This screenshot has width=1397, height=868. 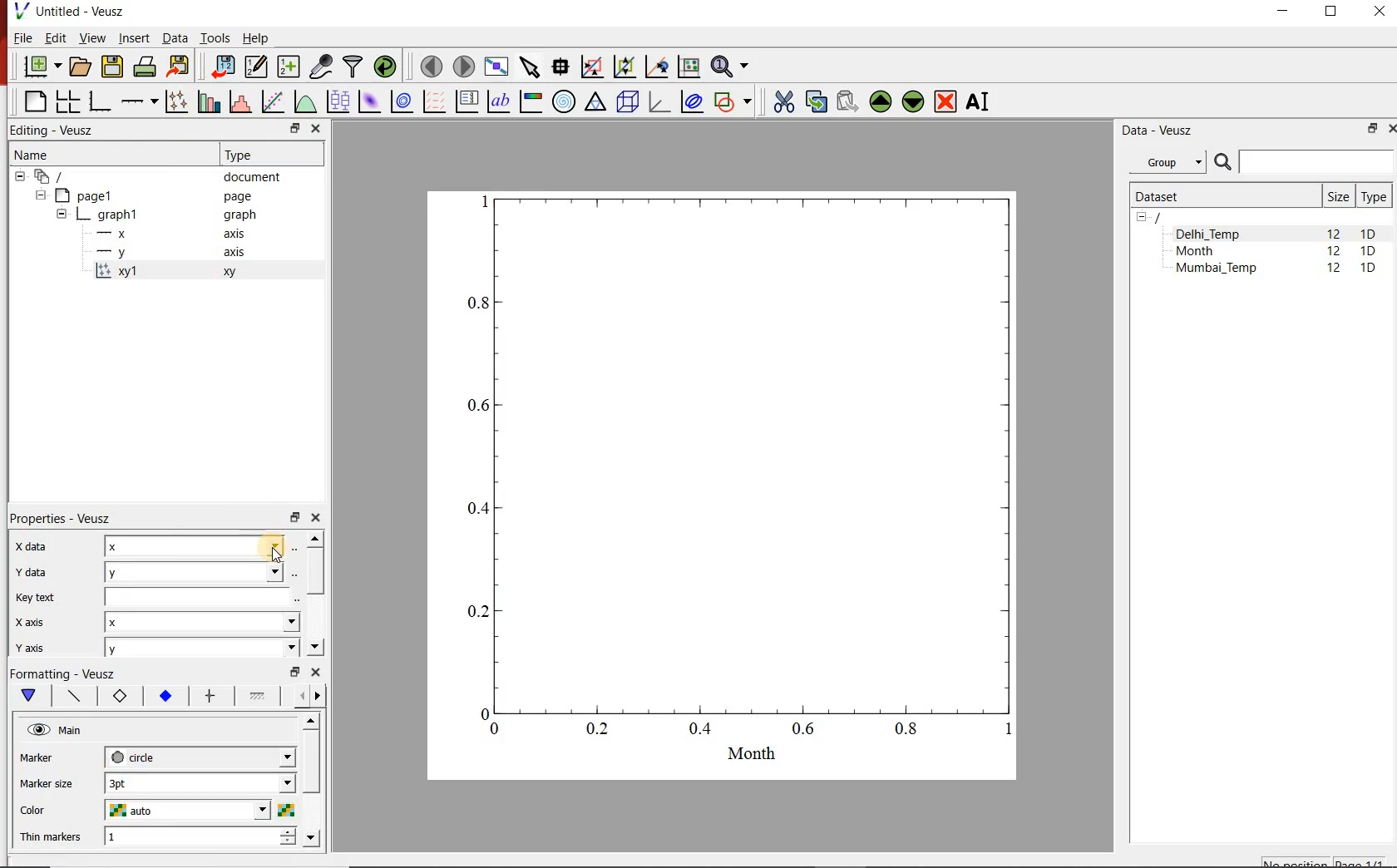 I want to click on 1D, so click(x=1368, y=252).